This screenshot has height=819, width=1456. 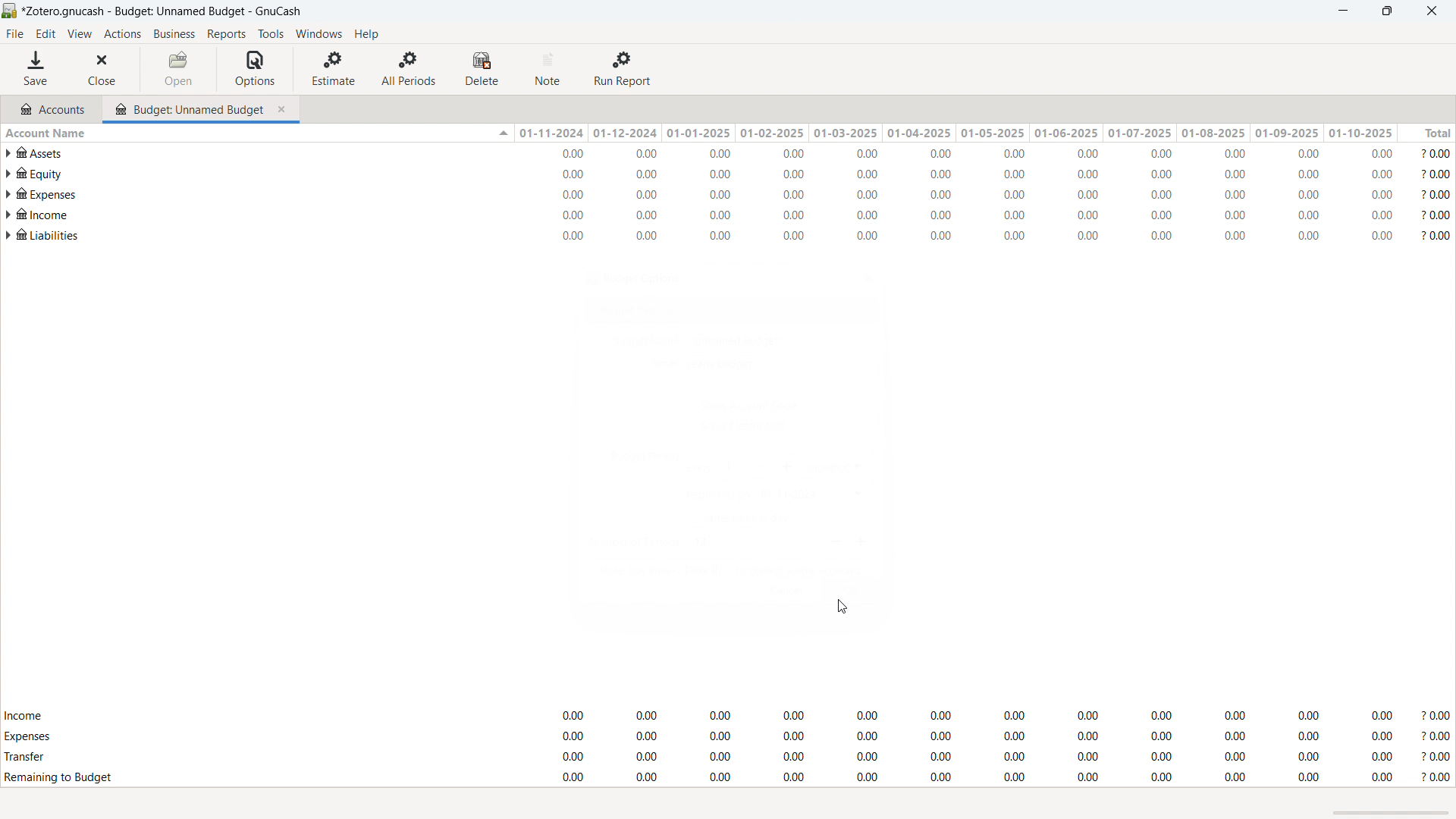 I want to click on expand subaccounts, so click(x=9, y=174).